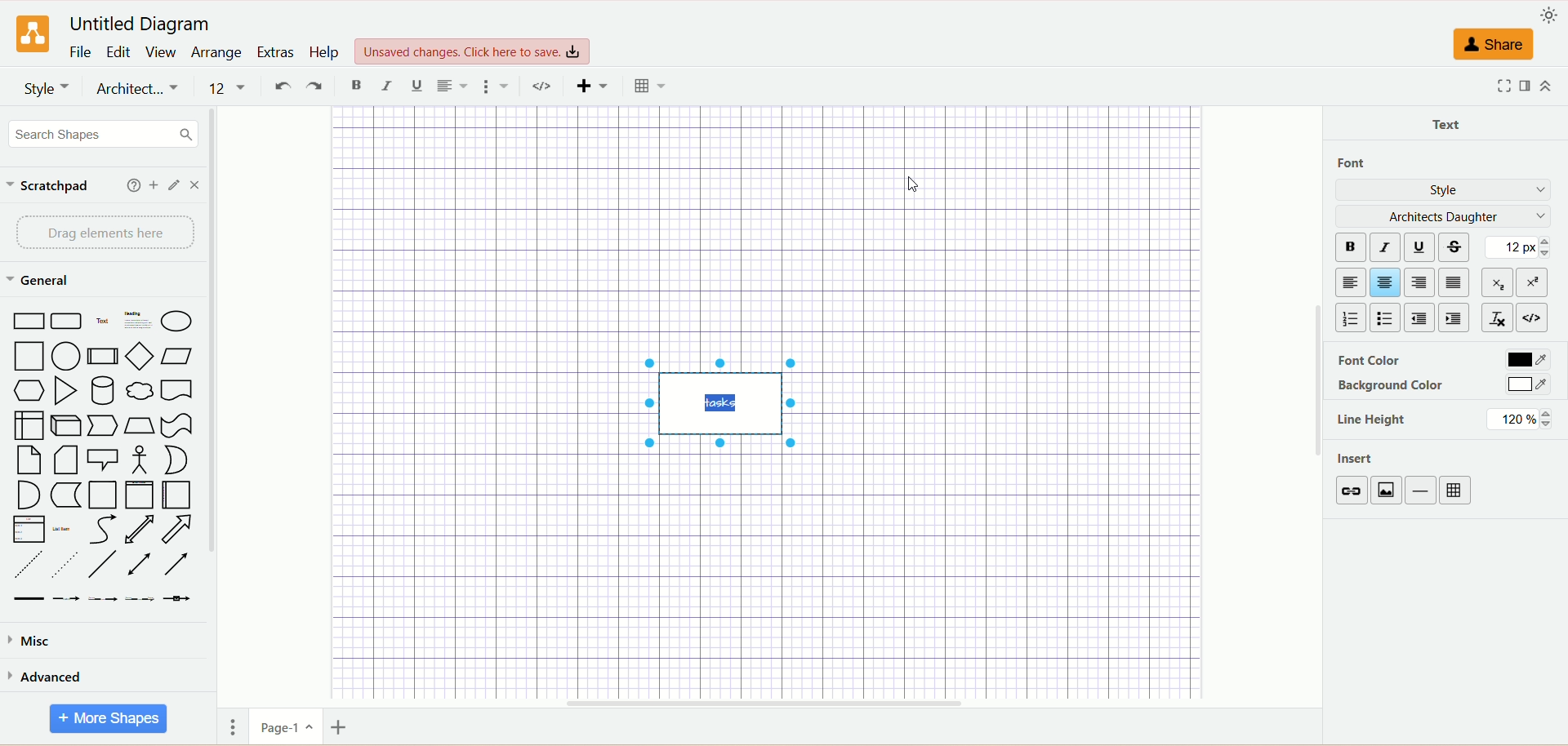 The height and width of the screenshot is (746, 1568). I want to click on Page, so click(30, 461).